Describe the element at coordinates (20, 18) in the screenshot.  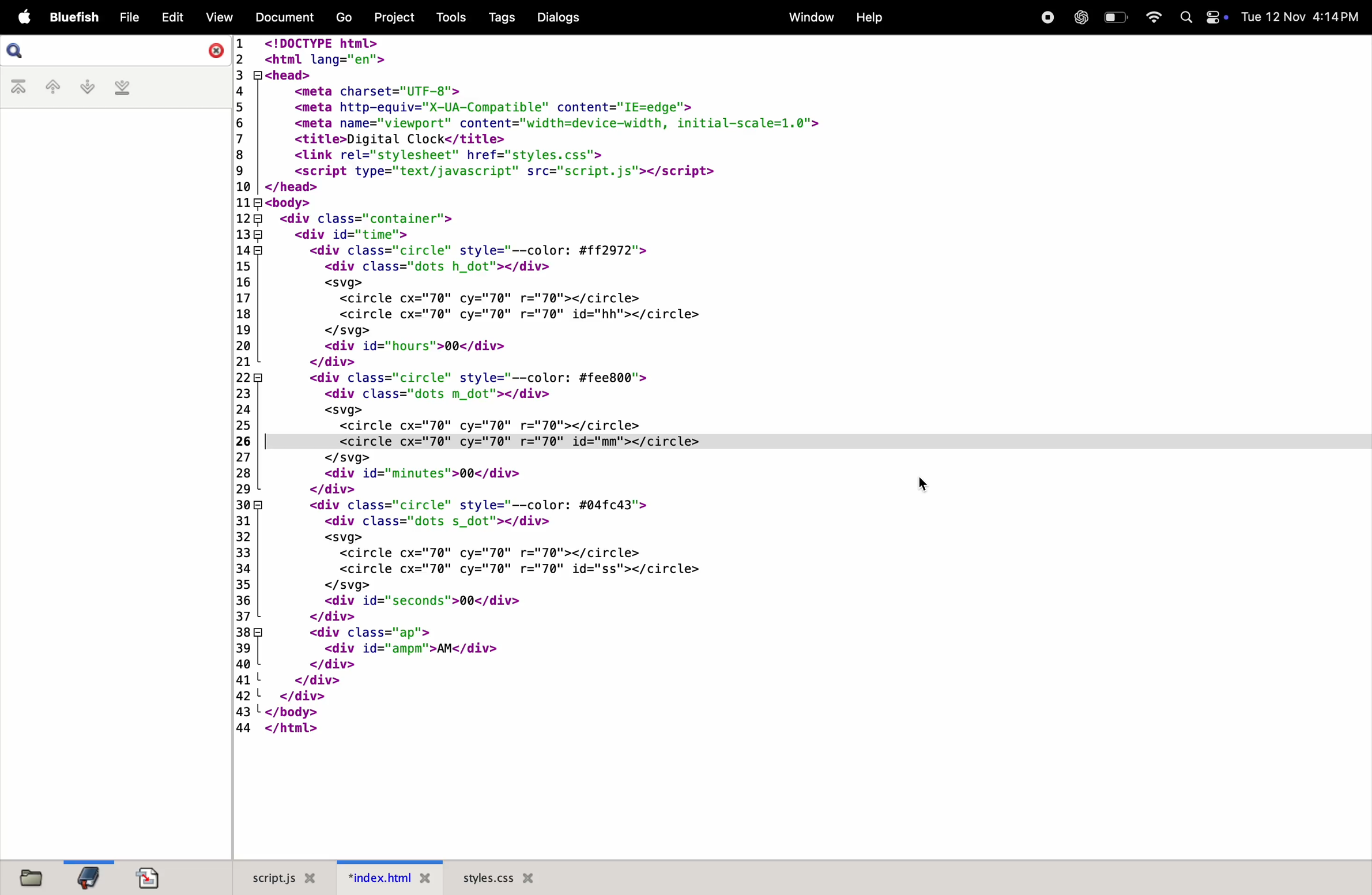
I see `apple menu` at that location.